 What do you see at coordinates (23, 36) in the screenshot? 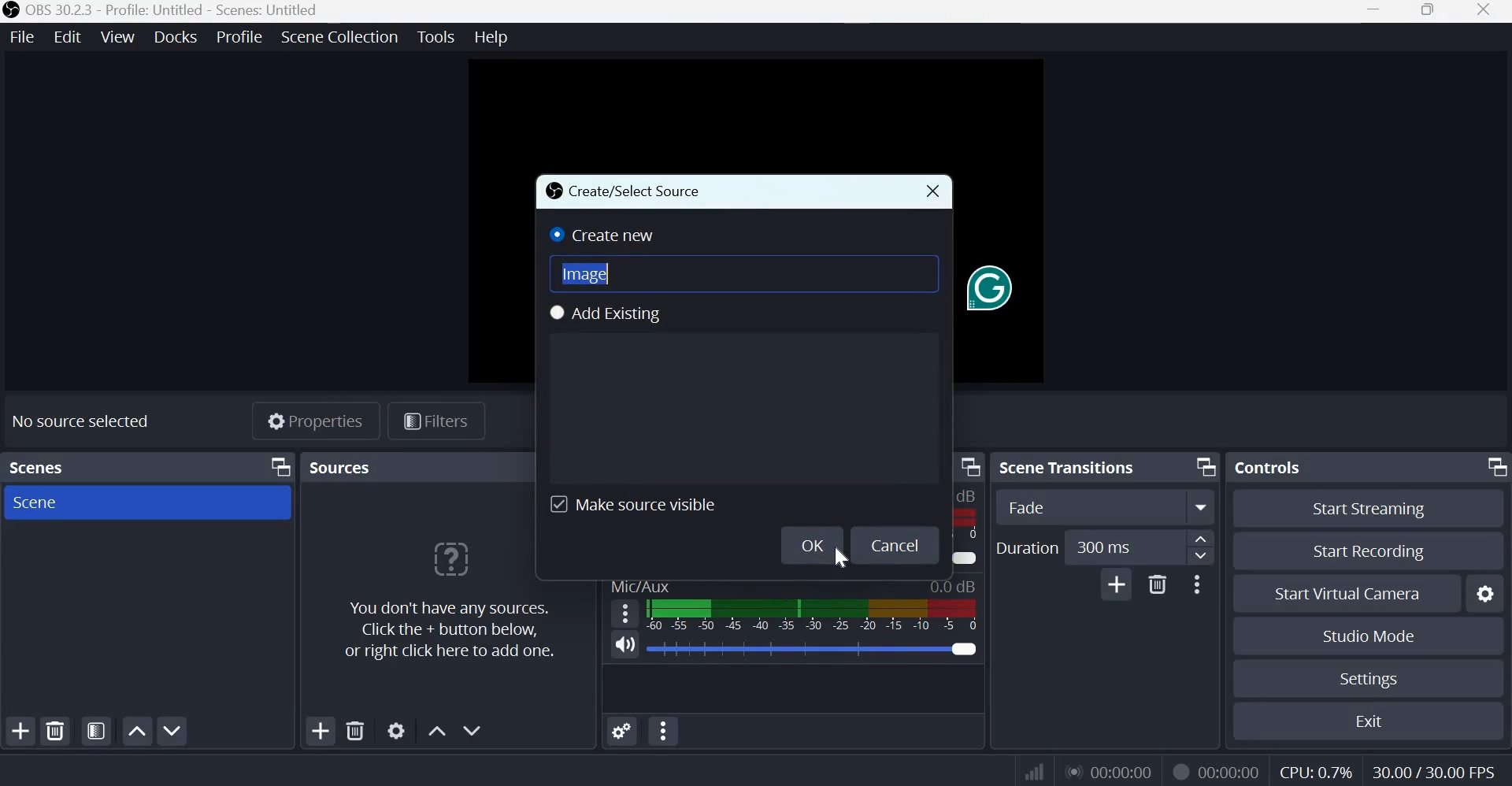
I see `file` at bounding box center [23, 36].